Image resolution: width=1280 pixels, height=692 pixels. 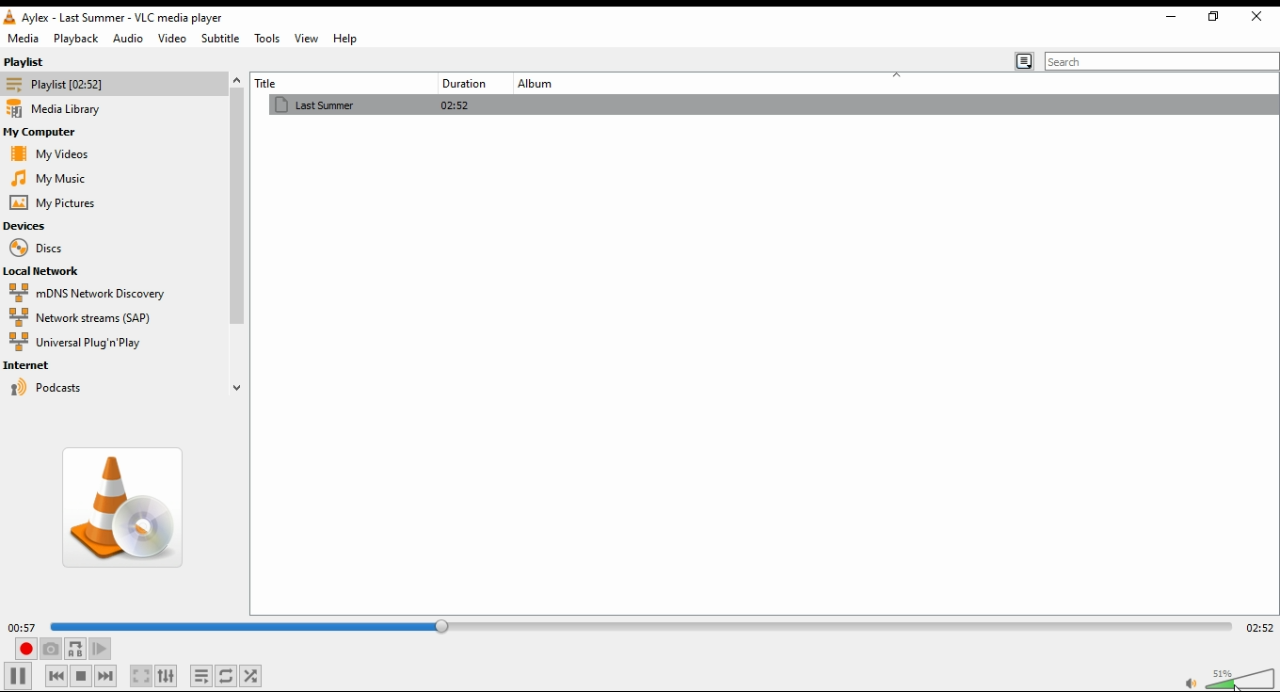 I want to click on vlc icon, so click(x=13, y=18).